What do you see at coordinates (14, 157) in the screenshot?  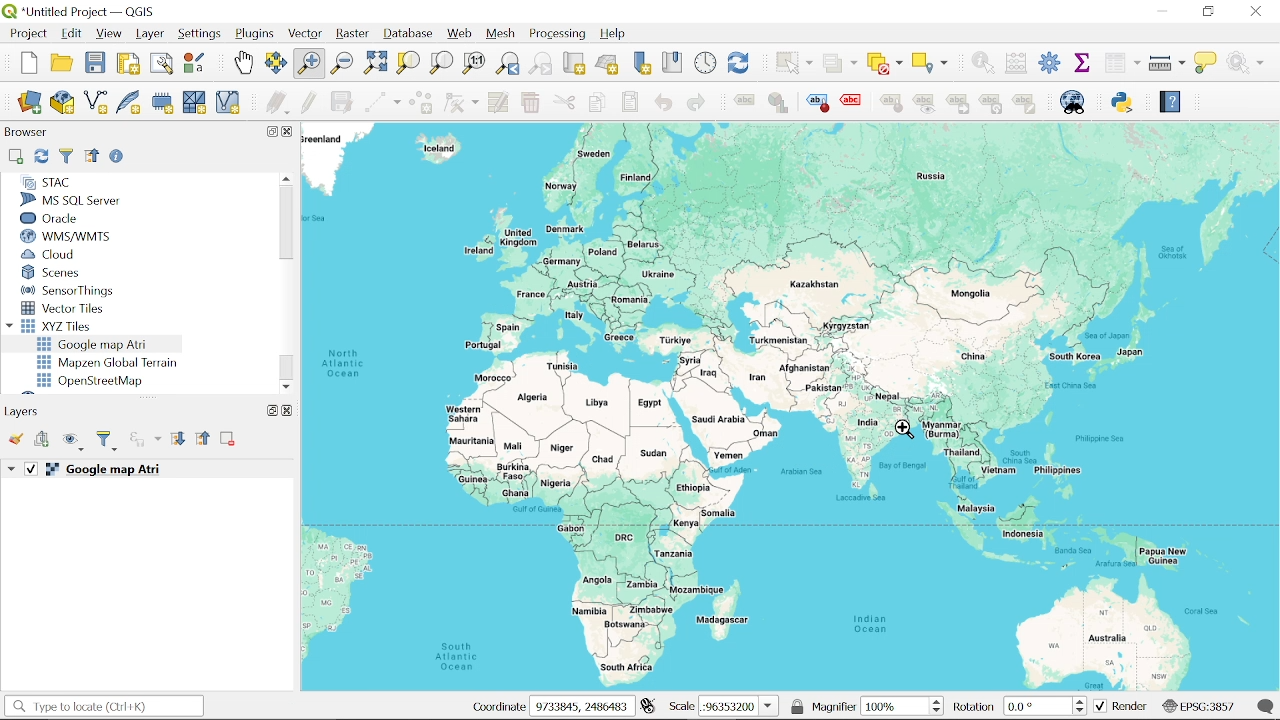 I see `Add selected layer` at bounding box center [14, 157].